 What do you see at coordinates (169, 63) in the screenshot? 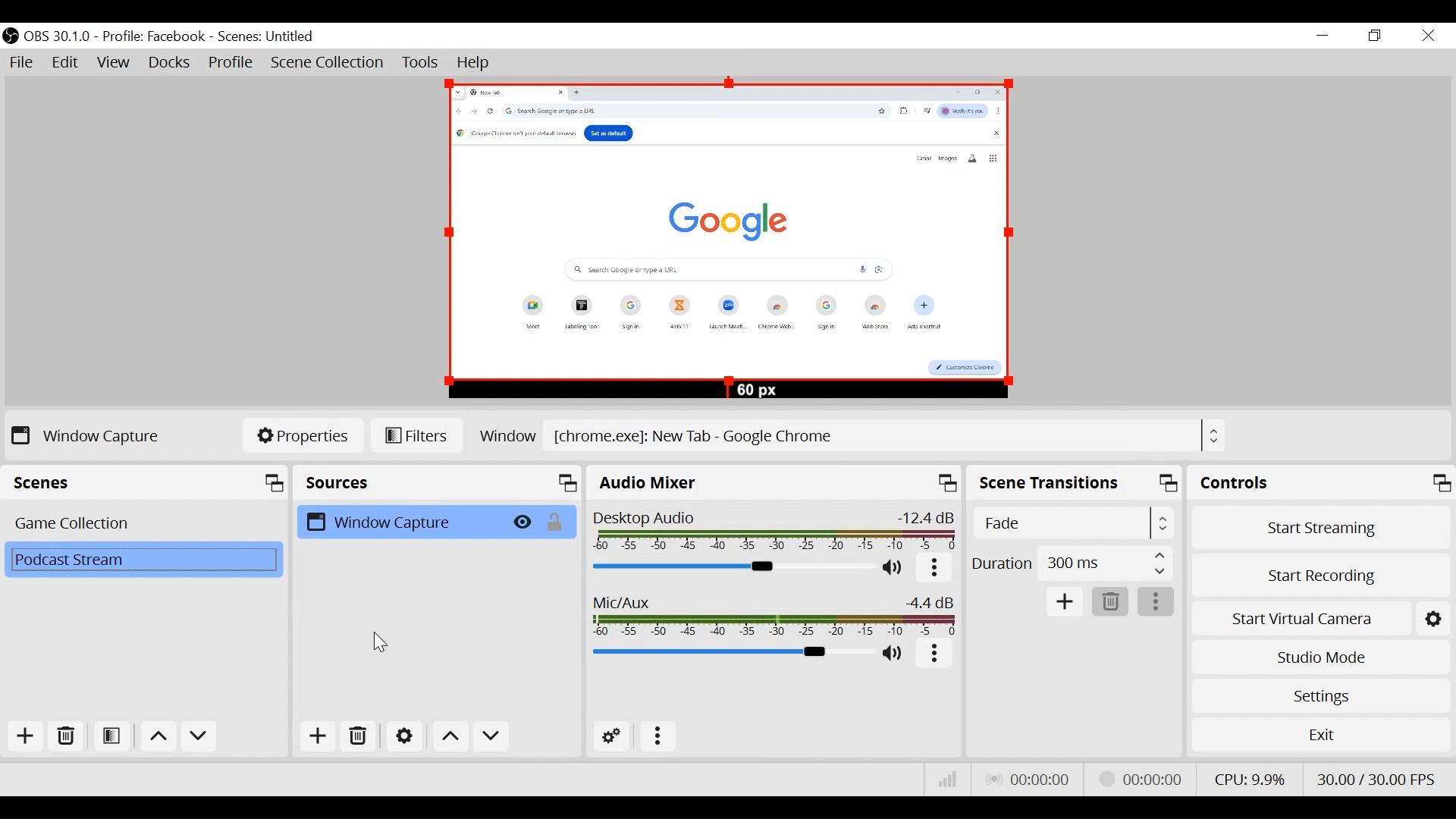
I see `Docks` at bounding box center [169, 63].